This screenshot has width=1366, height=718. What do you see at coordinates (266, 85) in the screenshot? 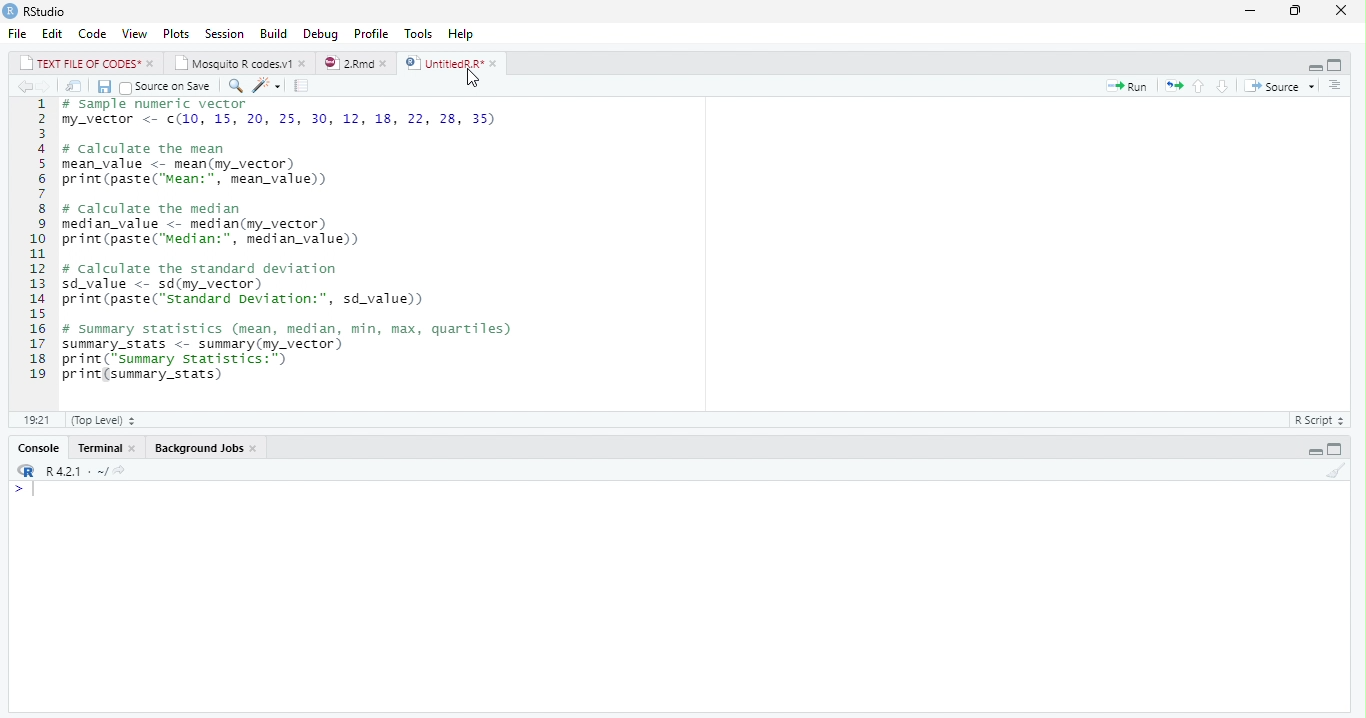
I see `code tools` at bounding box center [266, 85].